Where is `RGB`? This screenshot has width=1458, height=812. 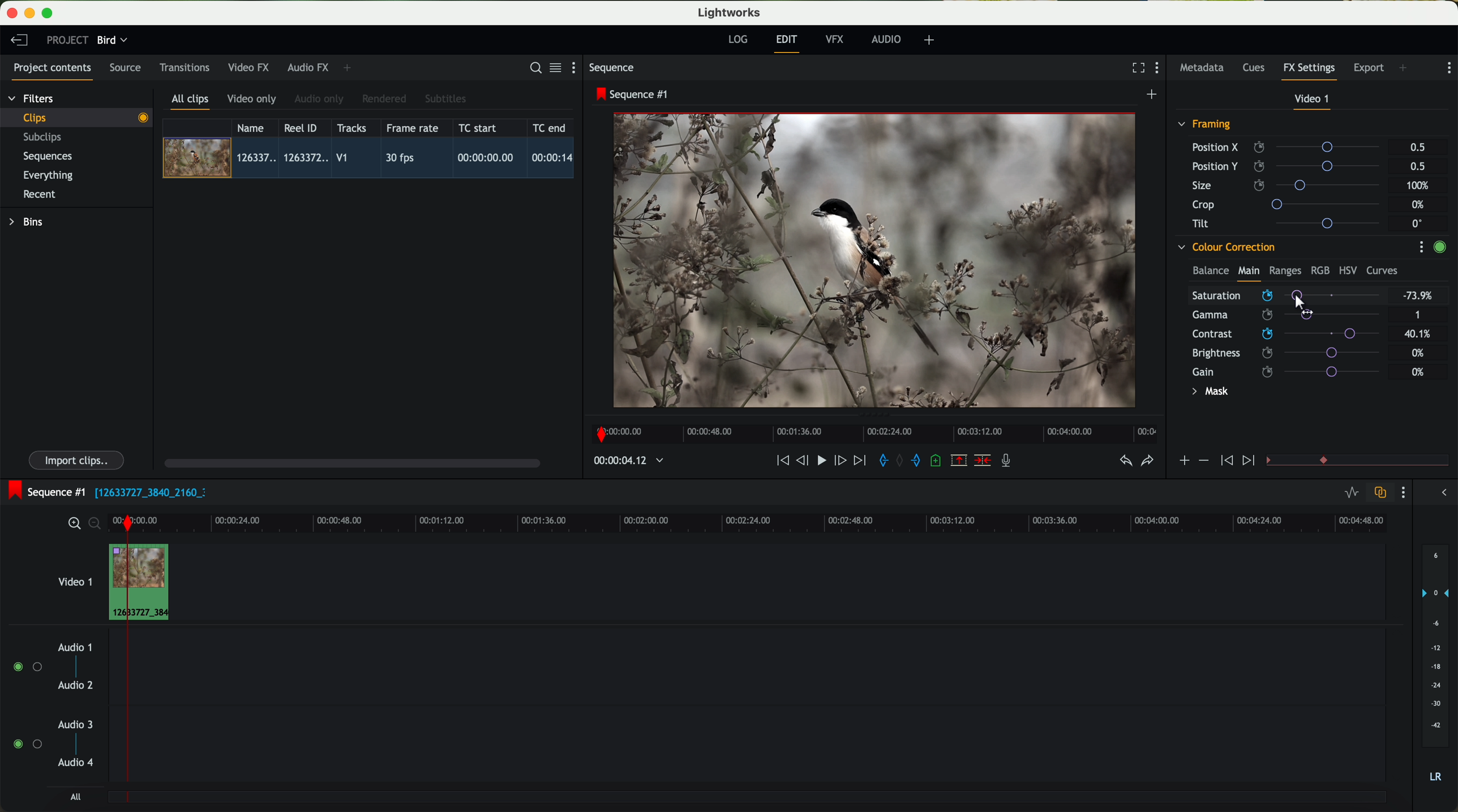
RGB is located at coordinates (1319, 269).